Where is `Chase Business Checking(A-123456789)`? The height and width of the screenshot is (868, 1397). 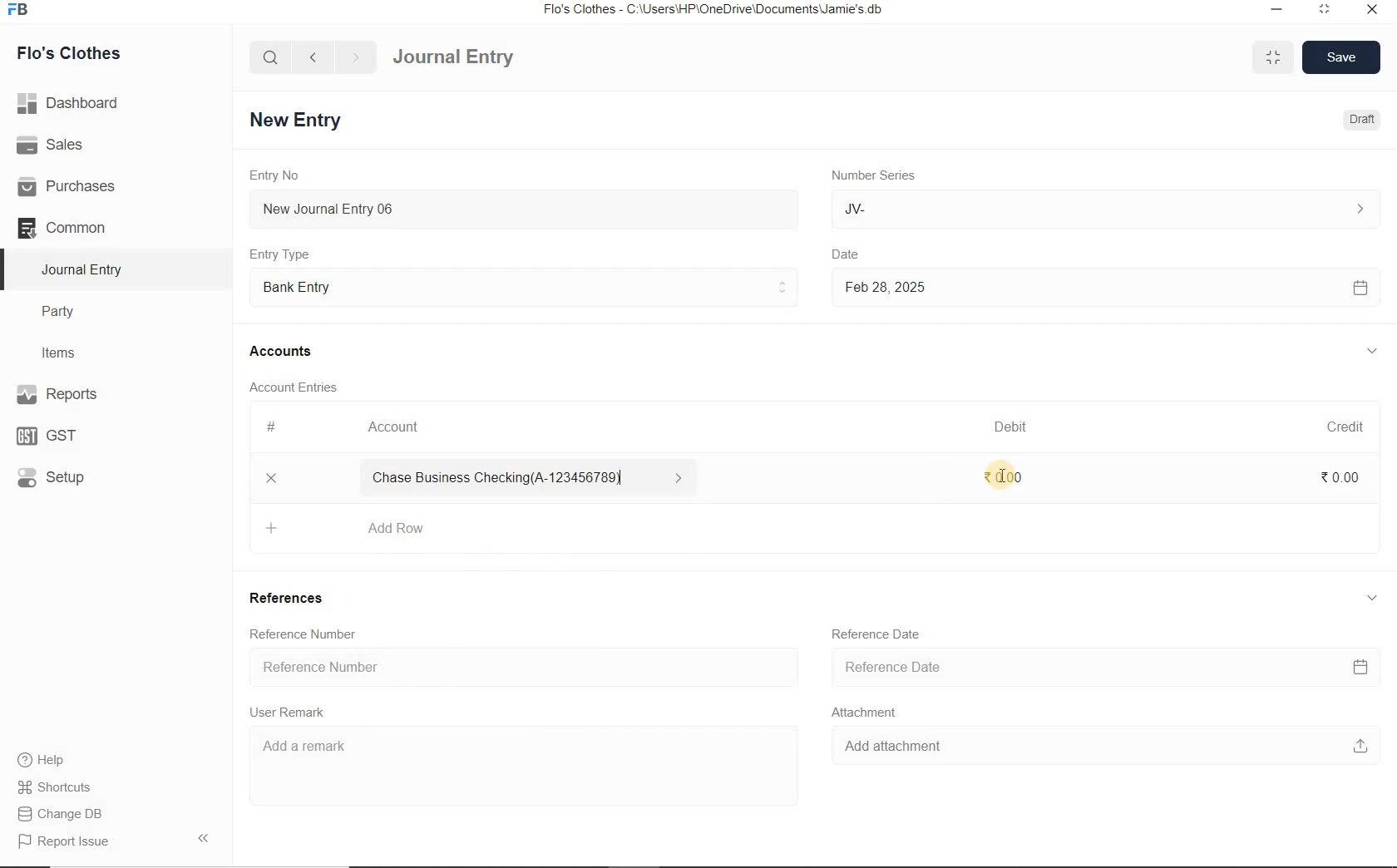
Chase Business Checking(A-123456789) is located at coordinates (534, 479).